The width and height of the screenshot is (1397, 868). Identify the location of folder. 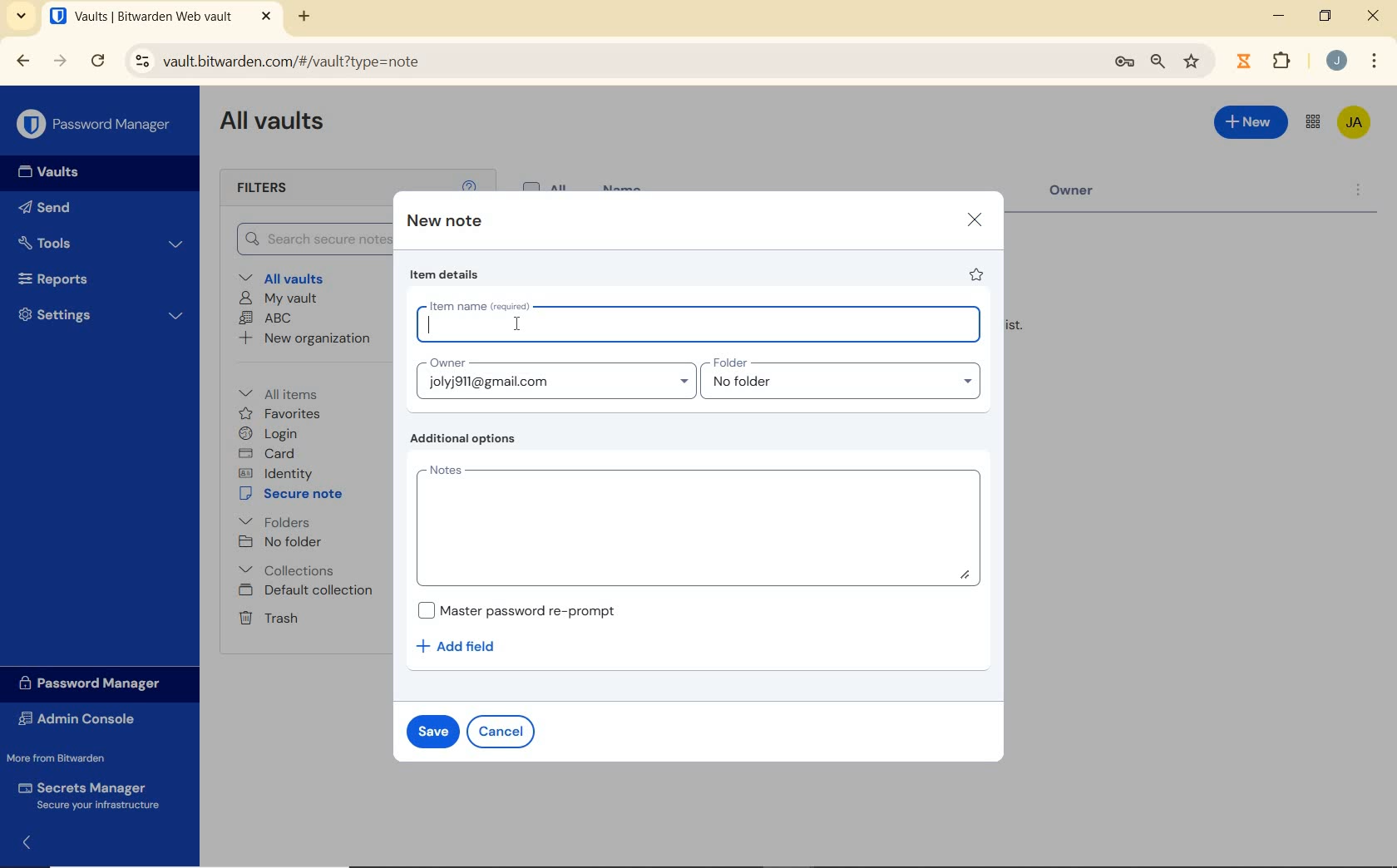
(842, 378).